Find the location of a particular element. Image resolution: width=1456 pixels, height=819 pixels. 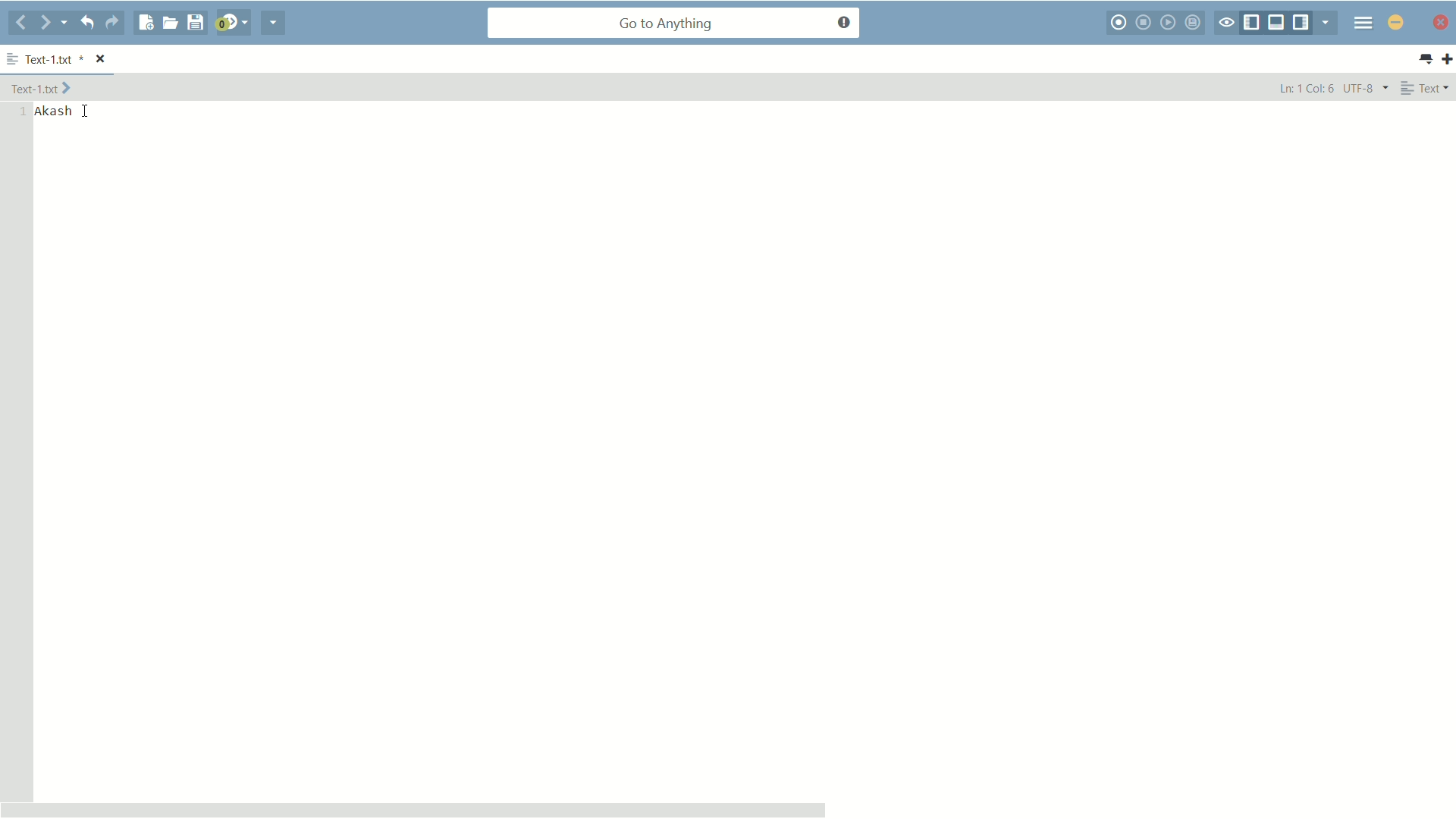

jump to next syntax checking result is located at coordinates (231, 23).